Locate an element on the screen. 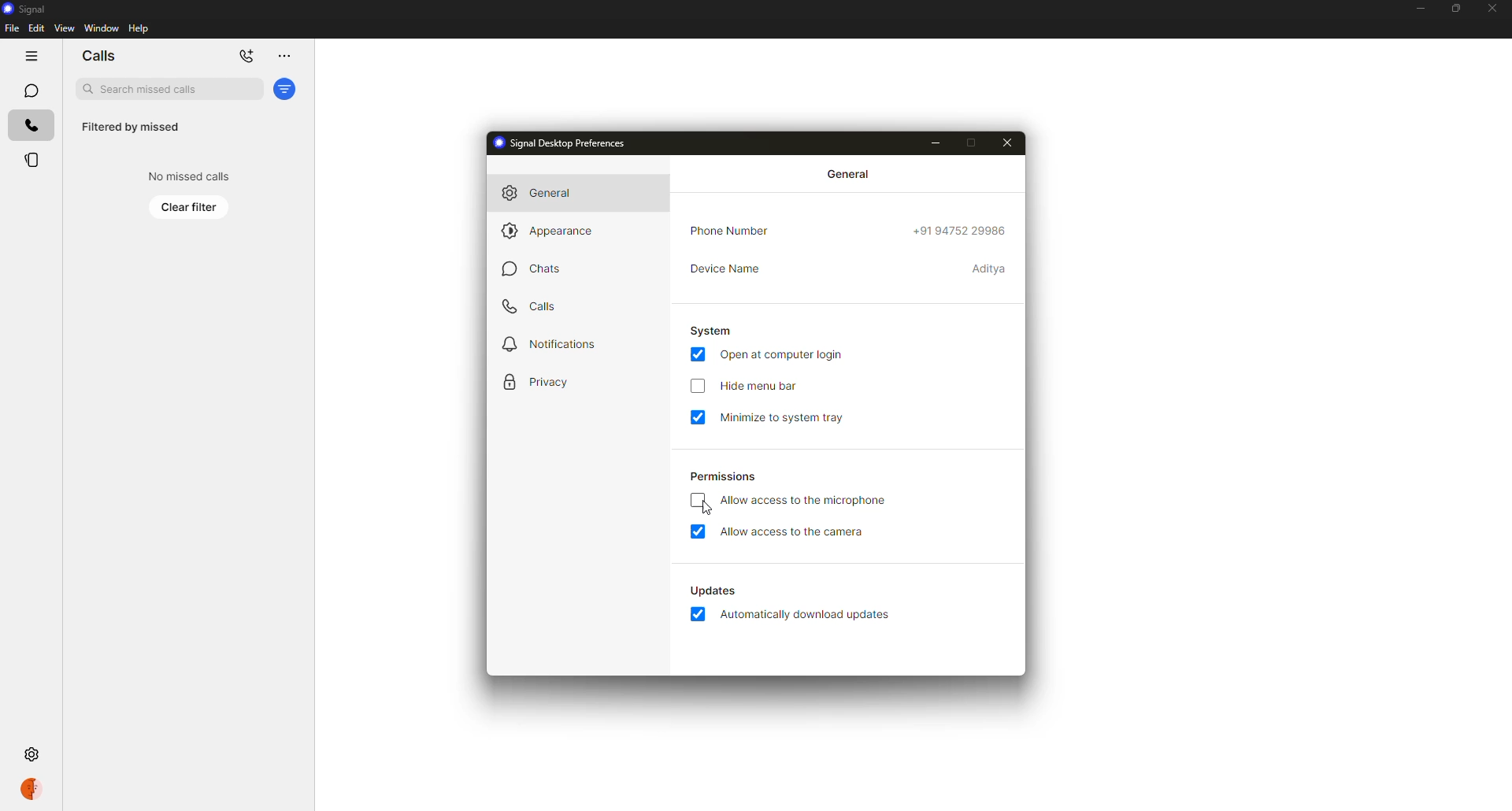 This screenshot has height=811, width=1512. profile is located at coordinates (31, 791).